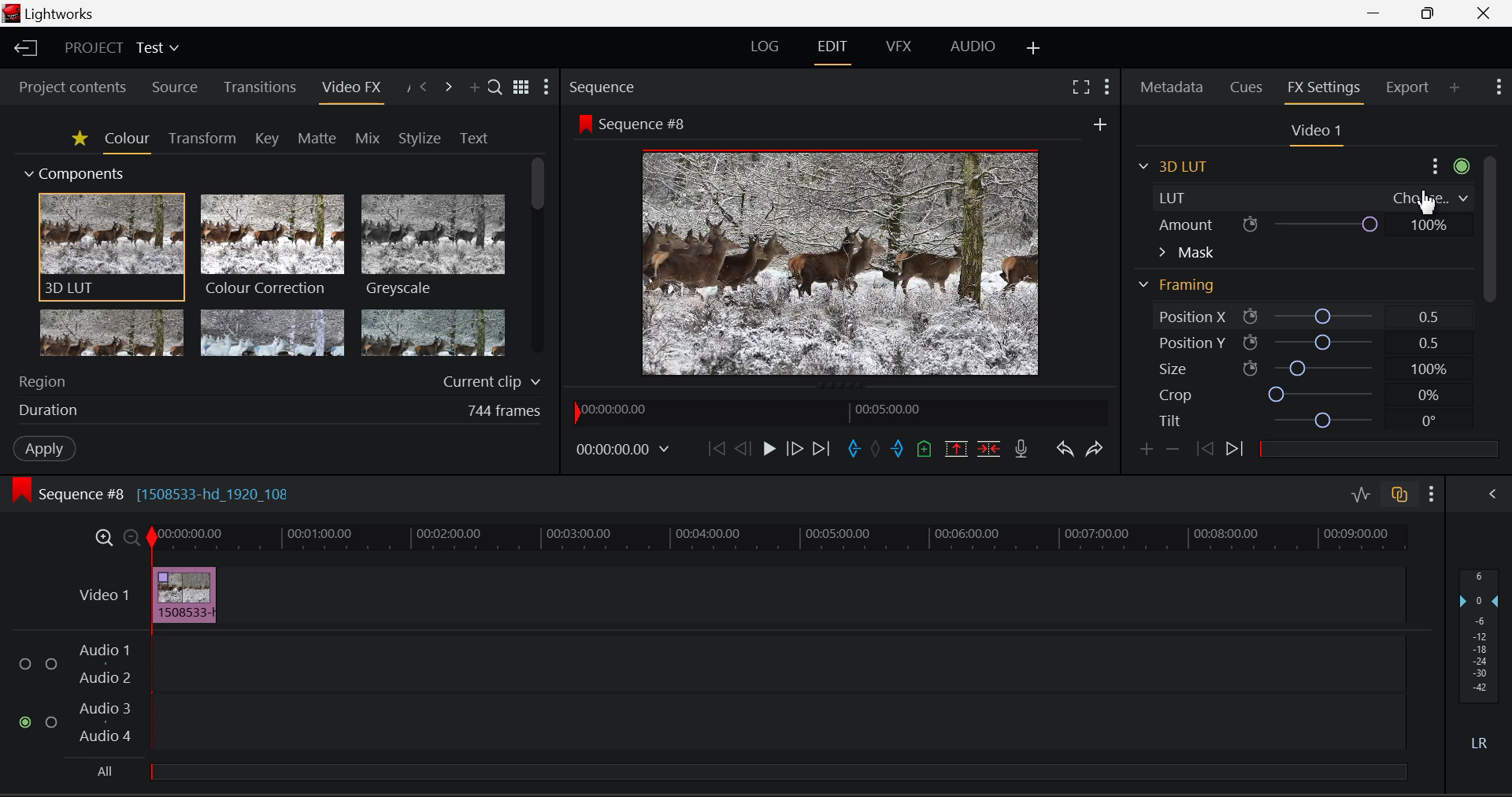 This screenshot has width=1512, height=797. What do you see at coordinates (266, 139) in the screenshot?
I see `Key` at bounding box center [266, 139].